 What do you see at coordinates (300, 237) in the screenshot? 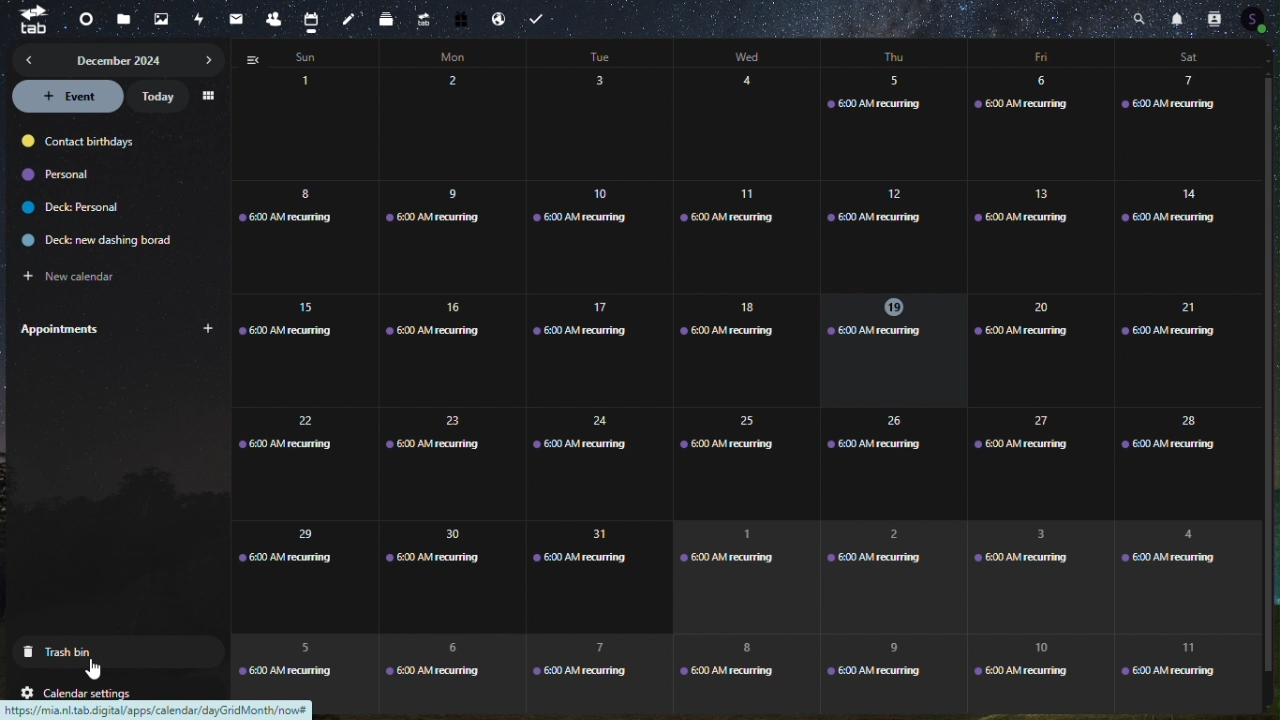
I see `8` at bounding box center [300, 237].